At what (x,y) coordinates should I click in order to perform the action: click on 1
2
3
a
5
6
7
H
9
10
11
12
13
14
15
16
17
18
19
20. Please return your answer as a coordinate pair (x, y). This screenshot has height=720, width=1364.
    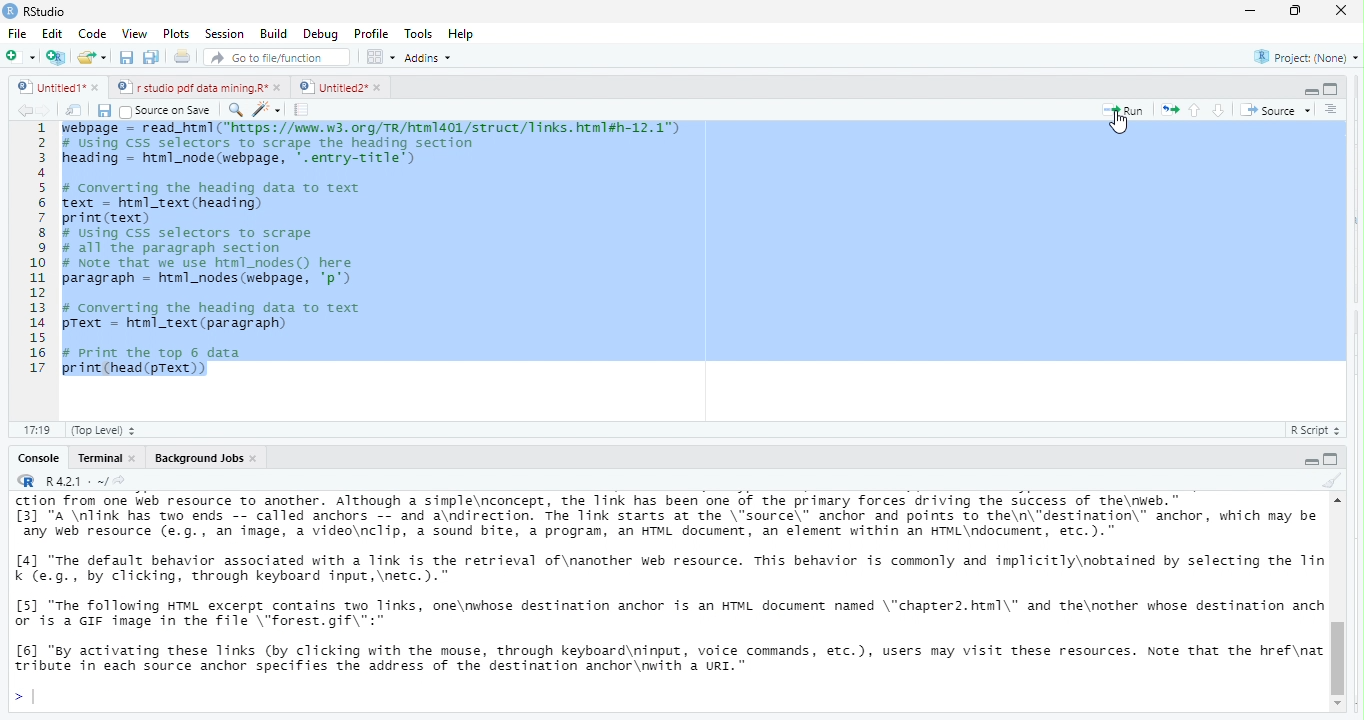
    Looking at the image, I should click on (35, 269).